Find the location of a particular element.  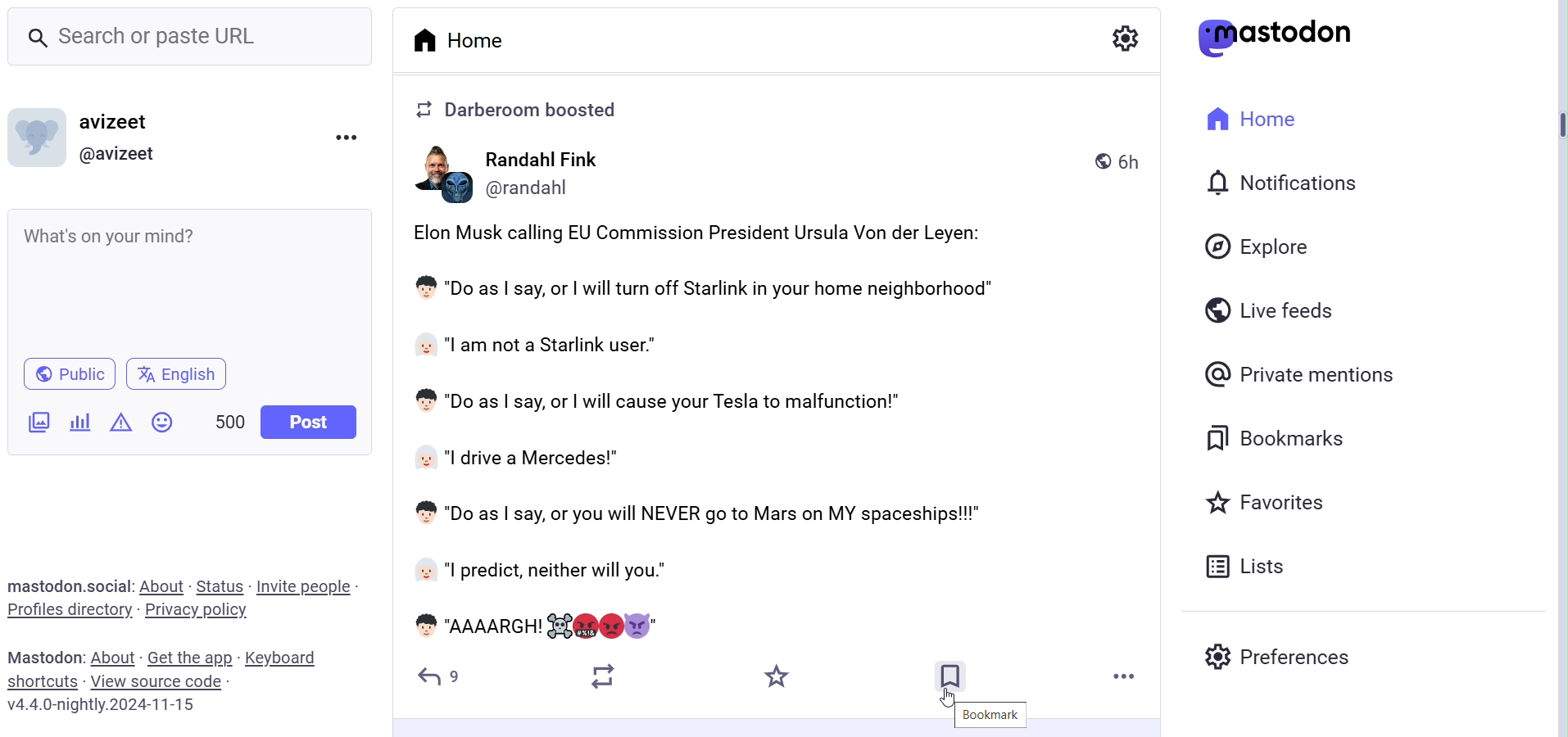

(@randaani is located at coordinates (556, 188).